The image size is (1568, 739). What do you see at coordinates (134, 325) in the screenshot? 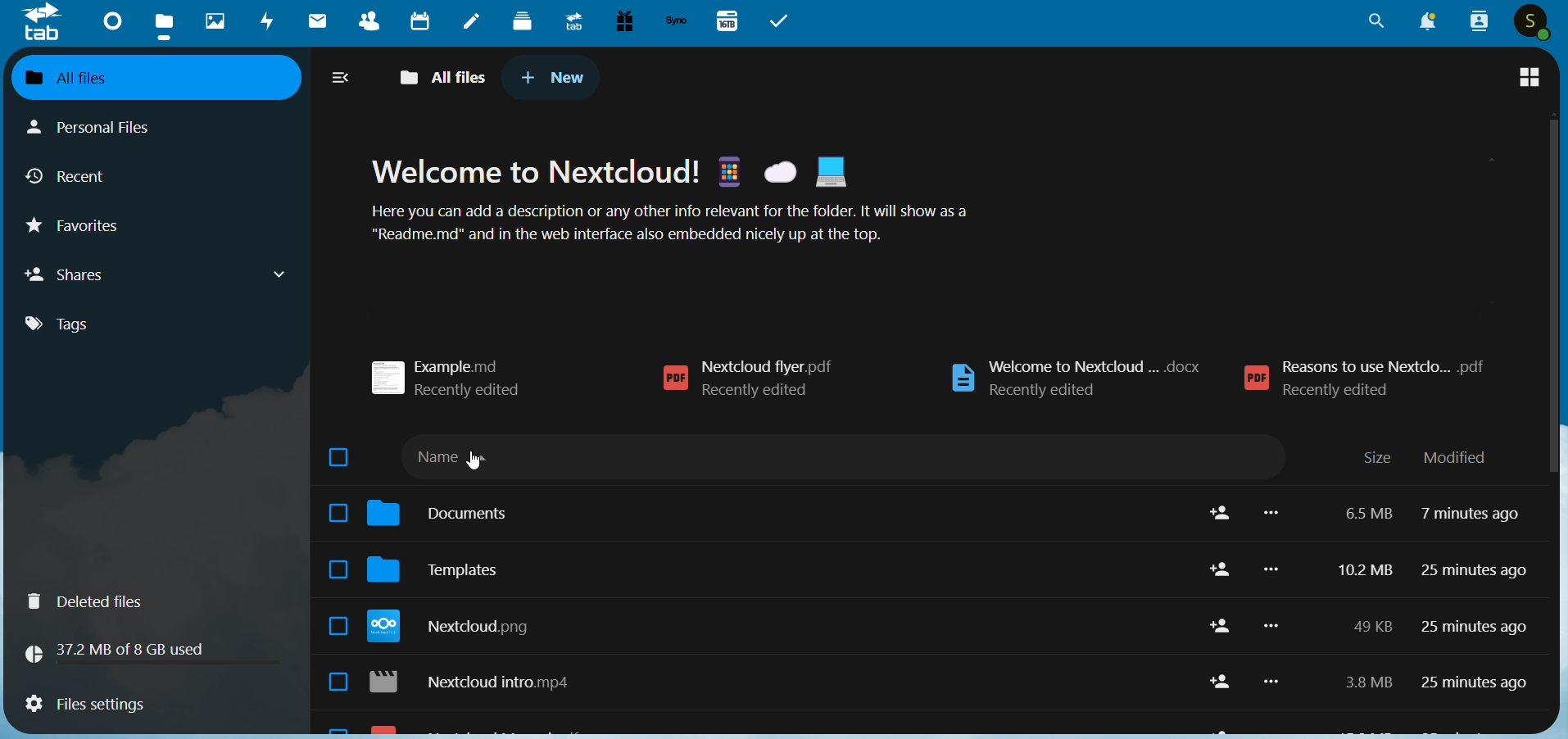
I see `Tags` at bounding box center [134, 325].